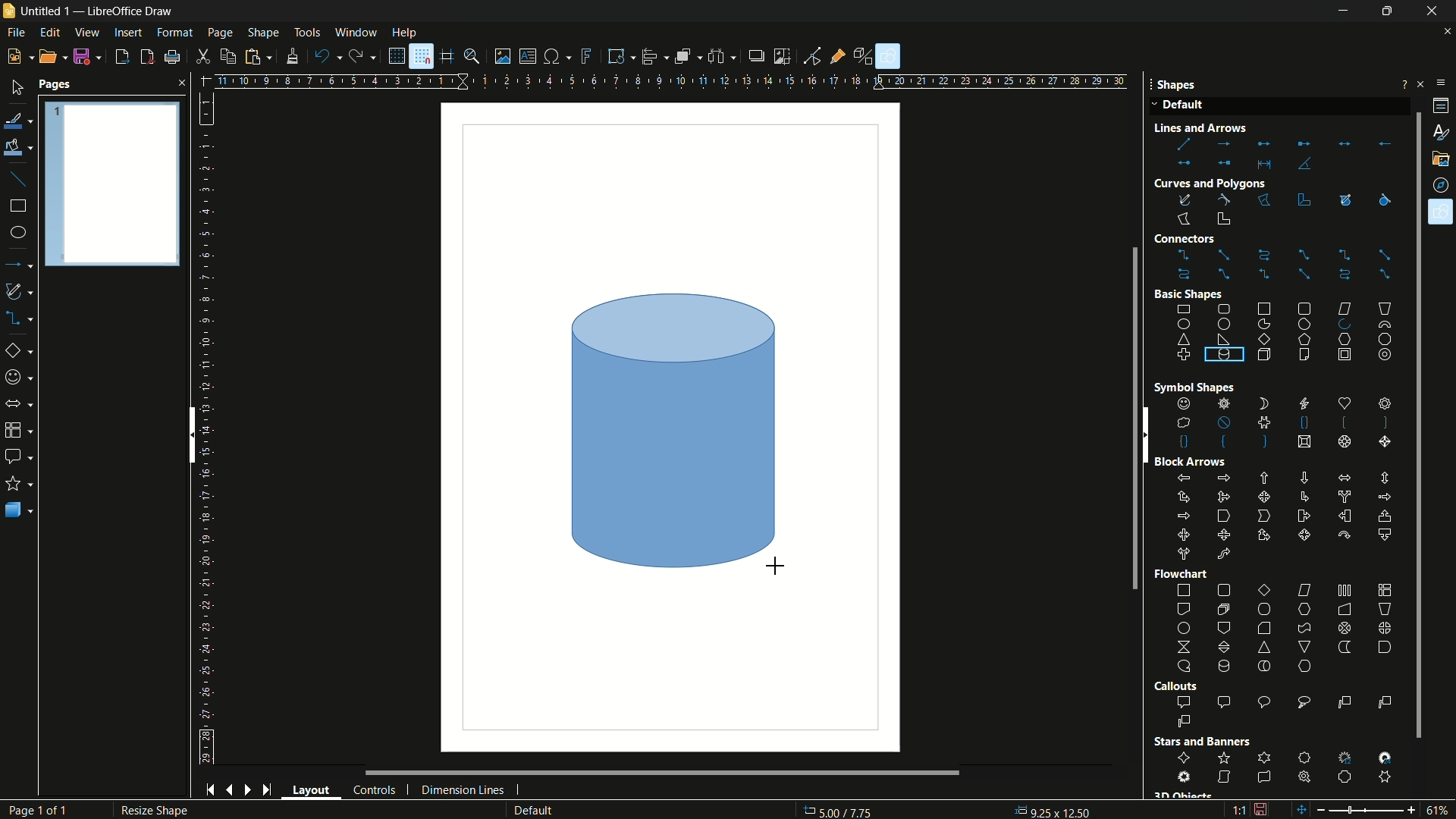 Image resolution: width=1456 pixels, height=819 pixels. What do you see at coordinates (588, 56) in the screenshot?
I see `insert fontwork text` at bounding box center [588, 56].